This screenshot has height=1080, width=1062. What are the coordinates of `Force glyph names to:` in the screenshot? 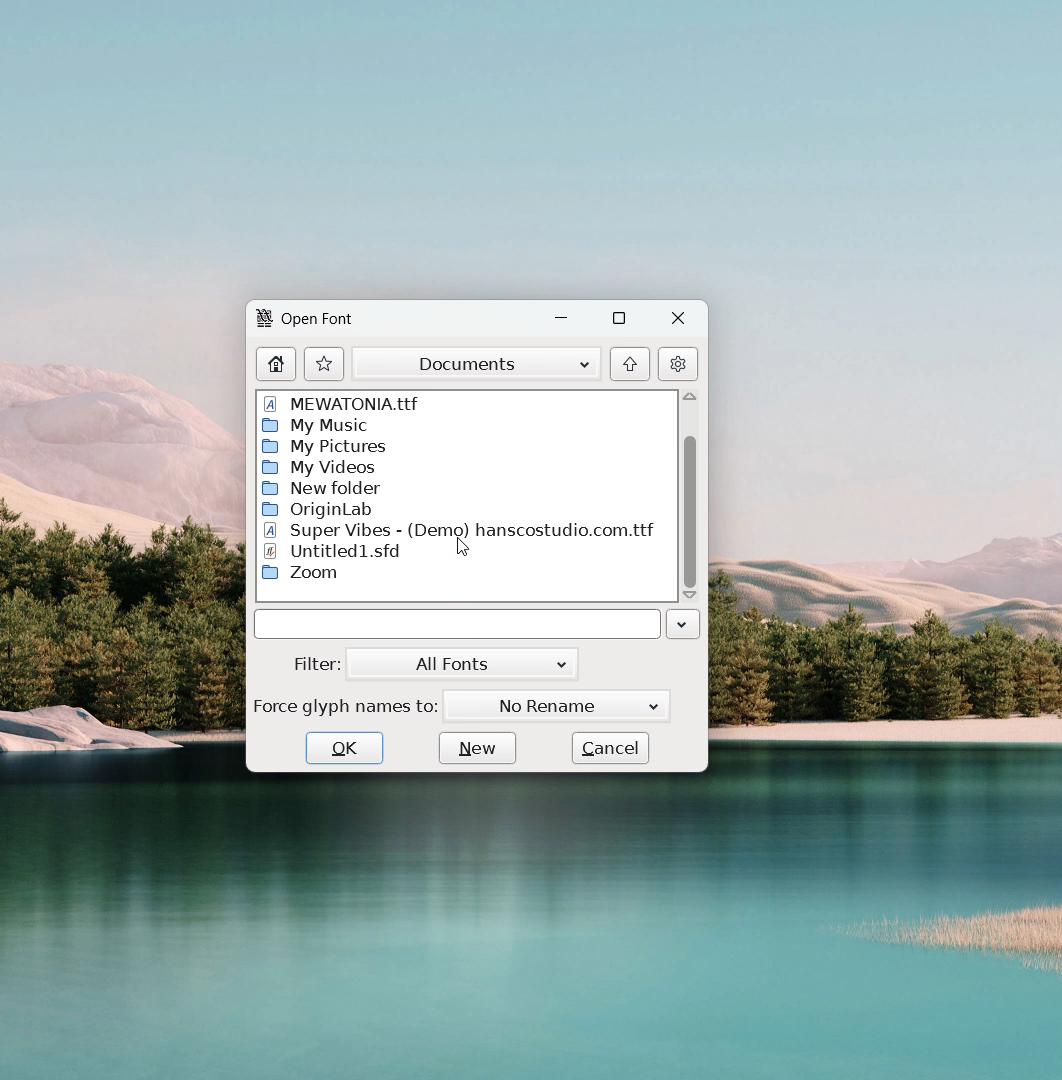 It's located at (345, 708).